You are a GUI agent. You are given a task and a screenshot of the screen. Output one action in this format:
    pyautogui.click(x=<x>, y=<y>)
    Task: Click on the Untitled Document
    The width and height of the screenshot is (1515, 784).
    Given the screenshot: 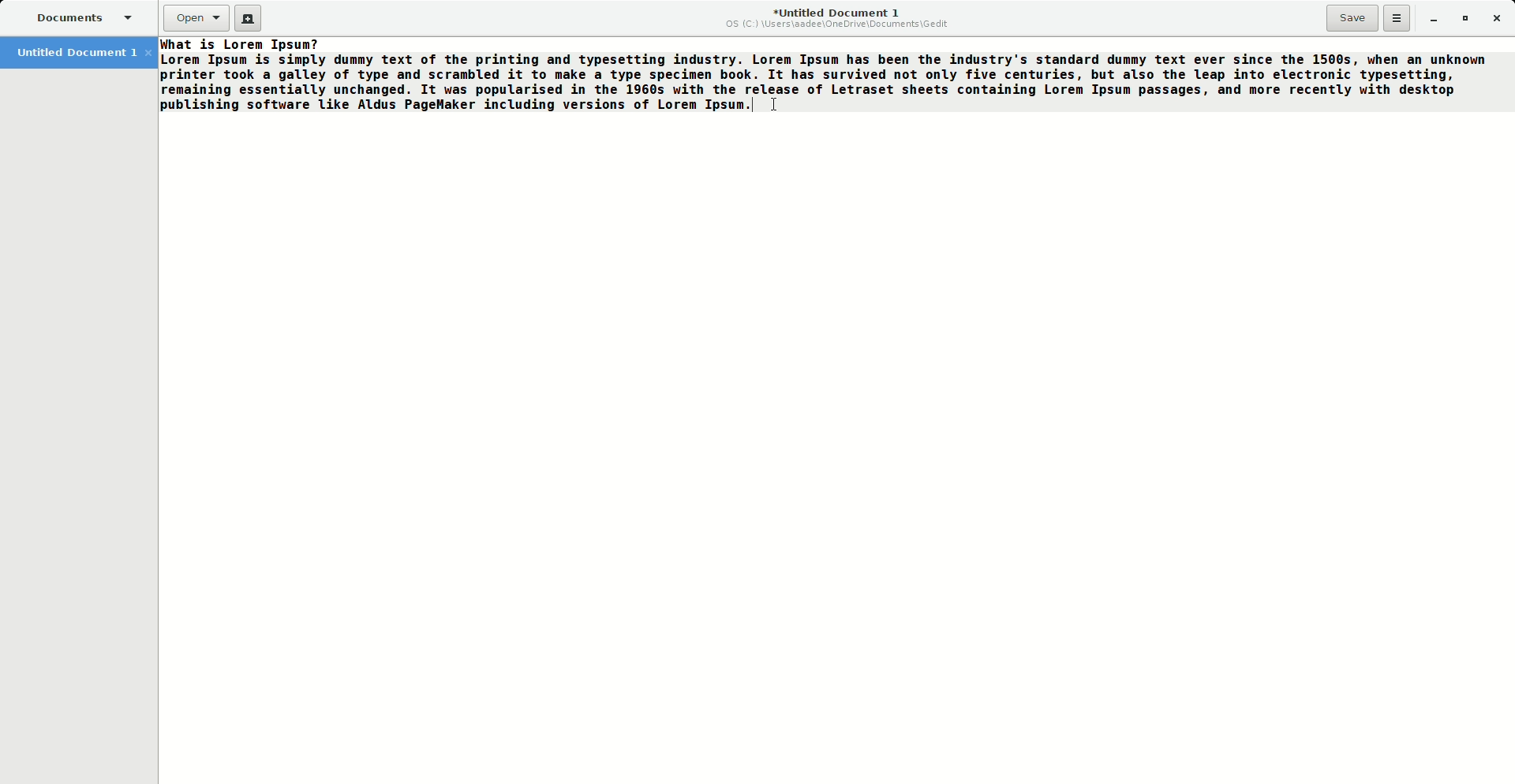 What is the action you would take?
    pyautogui.click(x=82, y=51)
    